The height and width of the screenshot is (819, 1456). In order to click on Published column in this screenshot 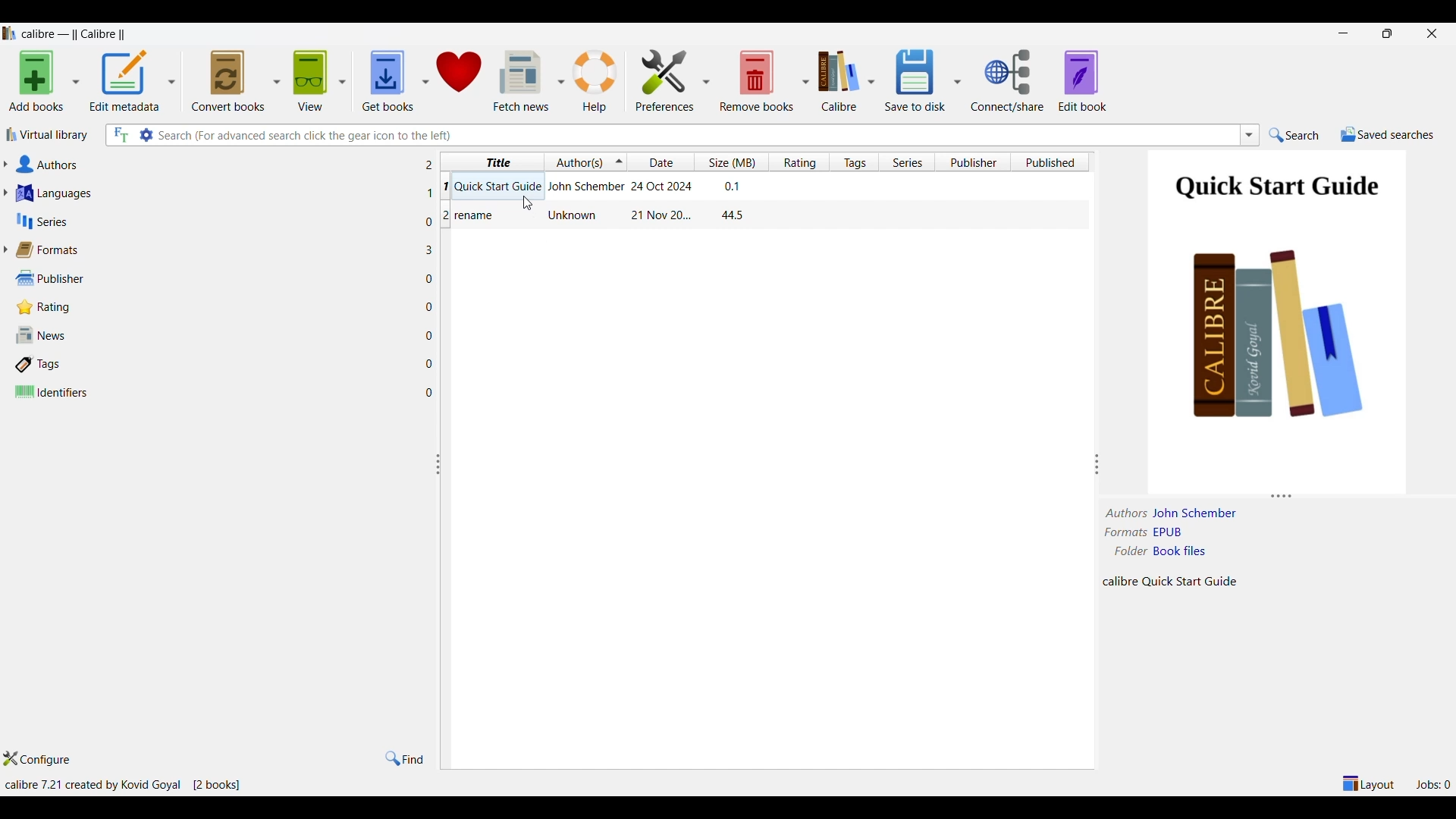, I will do `click(1055, 162)`.